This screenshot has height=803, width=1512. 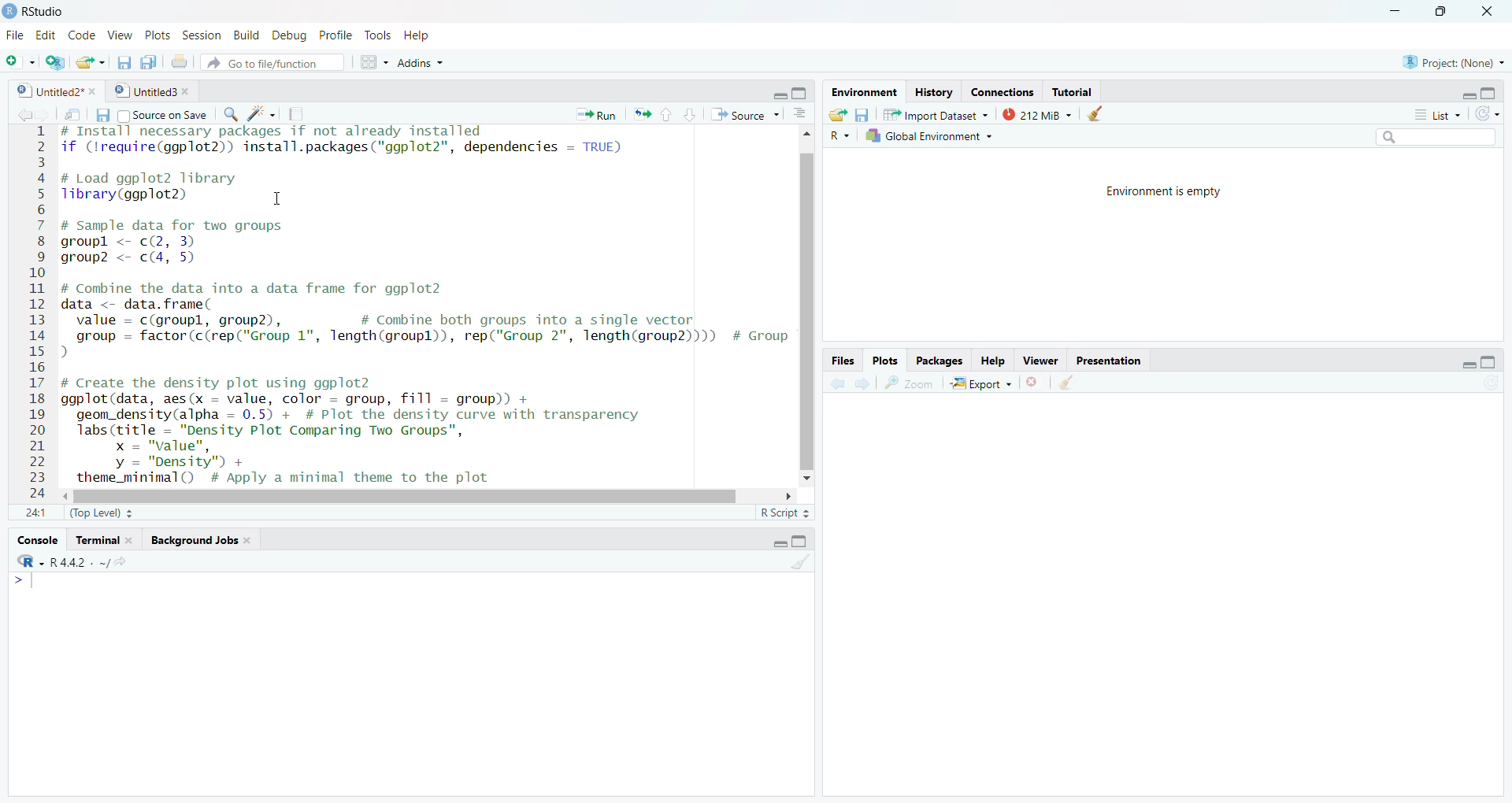 What do you see at coordinates (1117, 360) in the screenshot?
I see `presentation` at bounding box center [1117, 360].